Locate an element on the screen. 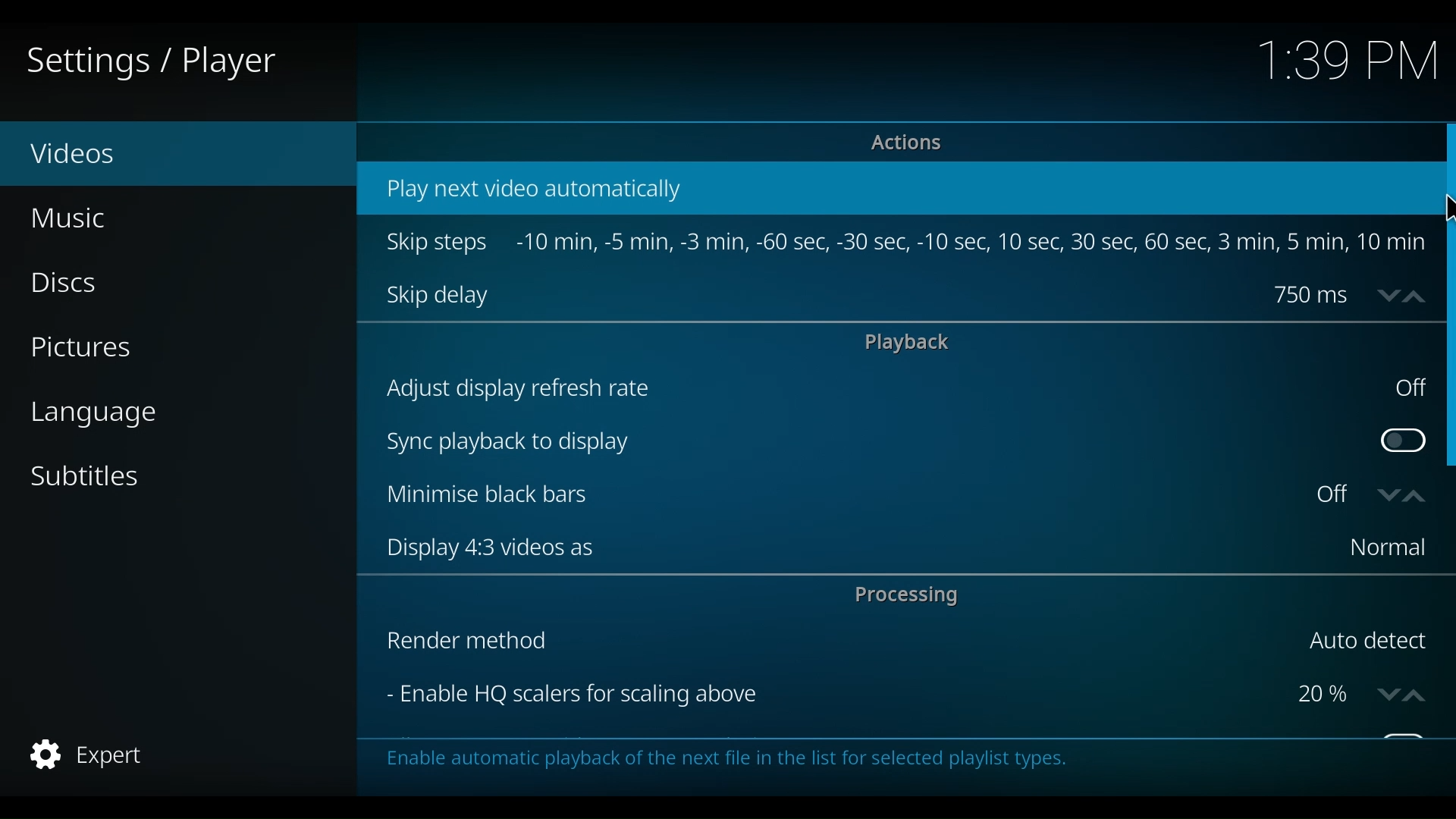  Toggle Sync playback to display is located at coordinates (1398, 441).